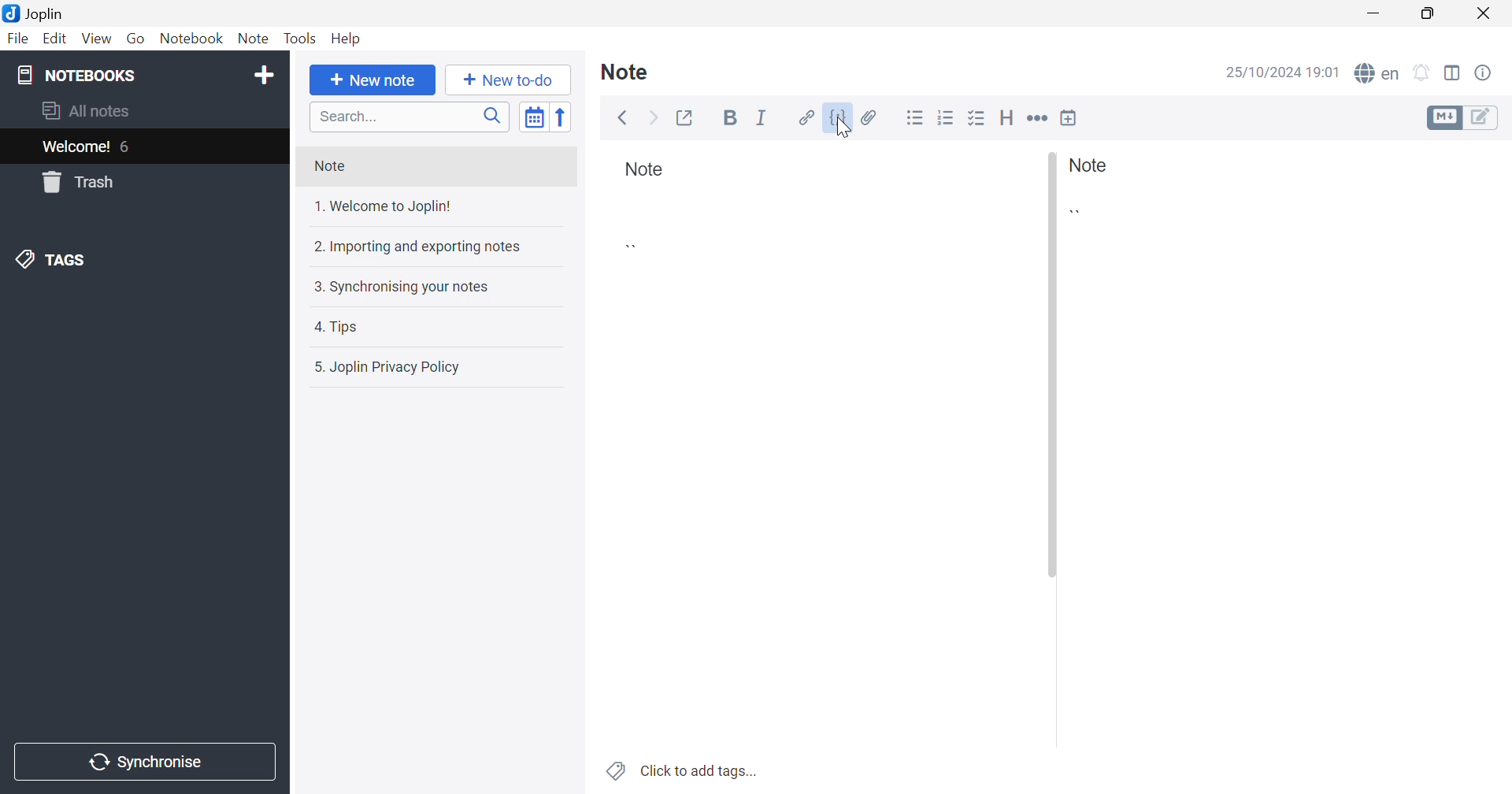 The height and width of the screenshot is (794, 1512). What do you see at coordinates (93, 110) in the screenshot?
I see `All notes` at bounding box center [93, 110].